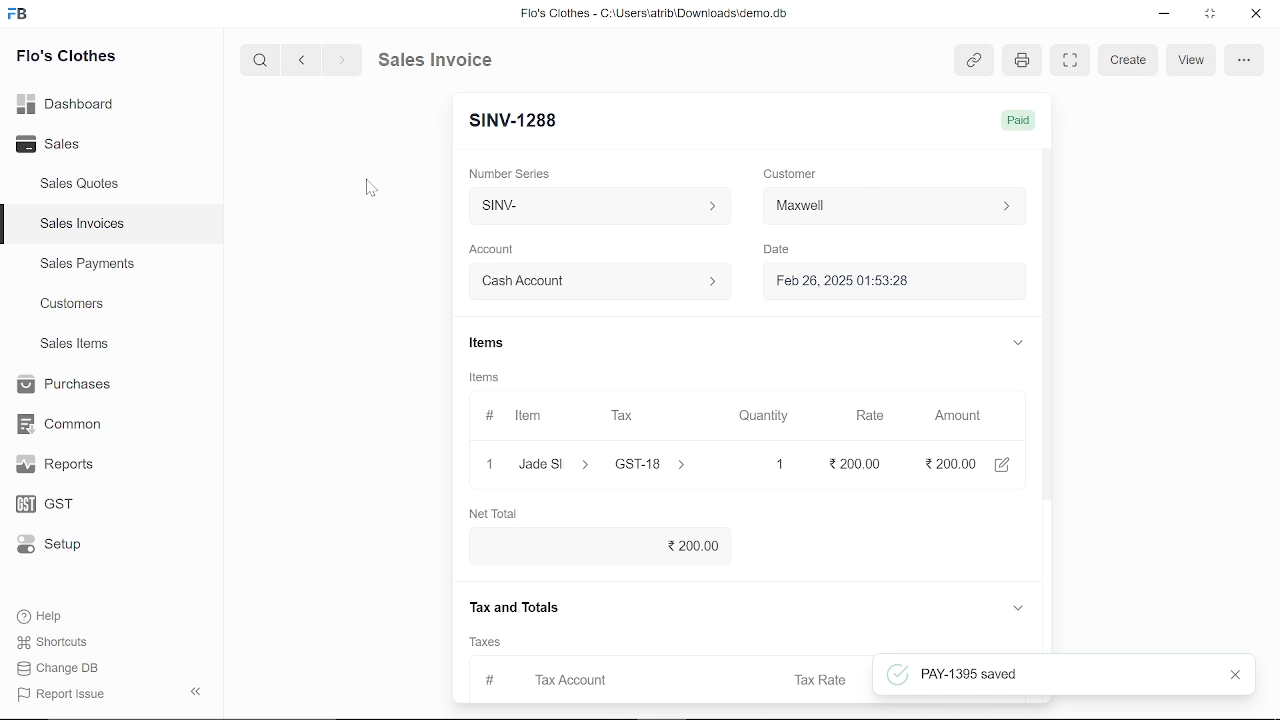 This screenshot has width=1280, height=720. What do you see at coordinates (487, 379) in the screenshot?
I see `` at bounding box center [487, 379].